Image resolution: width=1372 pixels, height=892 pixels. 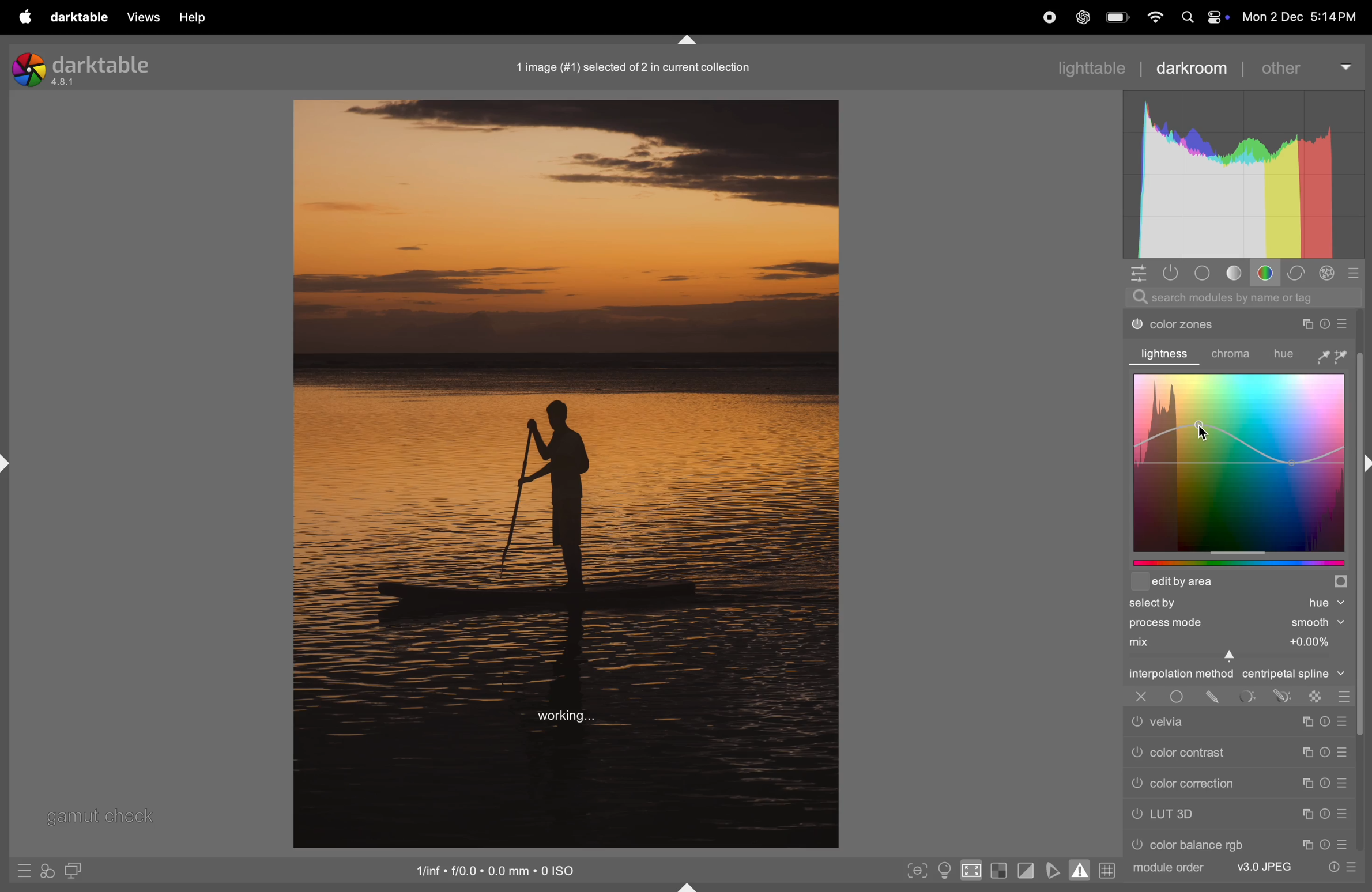 What do you see at coordinates (1055, 870) in the screenshot?
I see `toggle soft proffing` at bounding box center [1055, 870].